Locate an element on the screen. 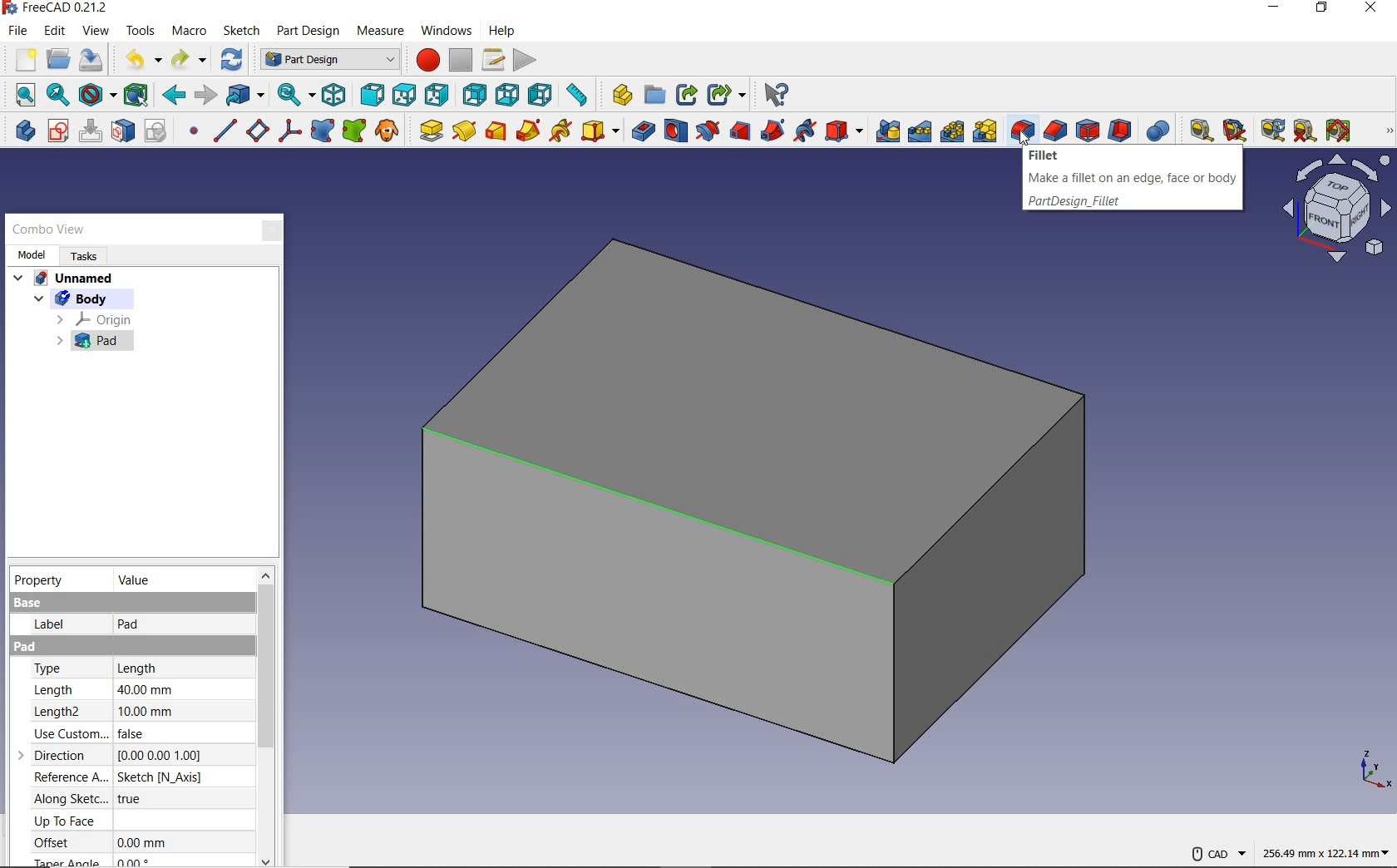  draft is located at coordinates (1088, 131).